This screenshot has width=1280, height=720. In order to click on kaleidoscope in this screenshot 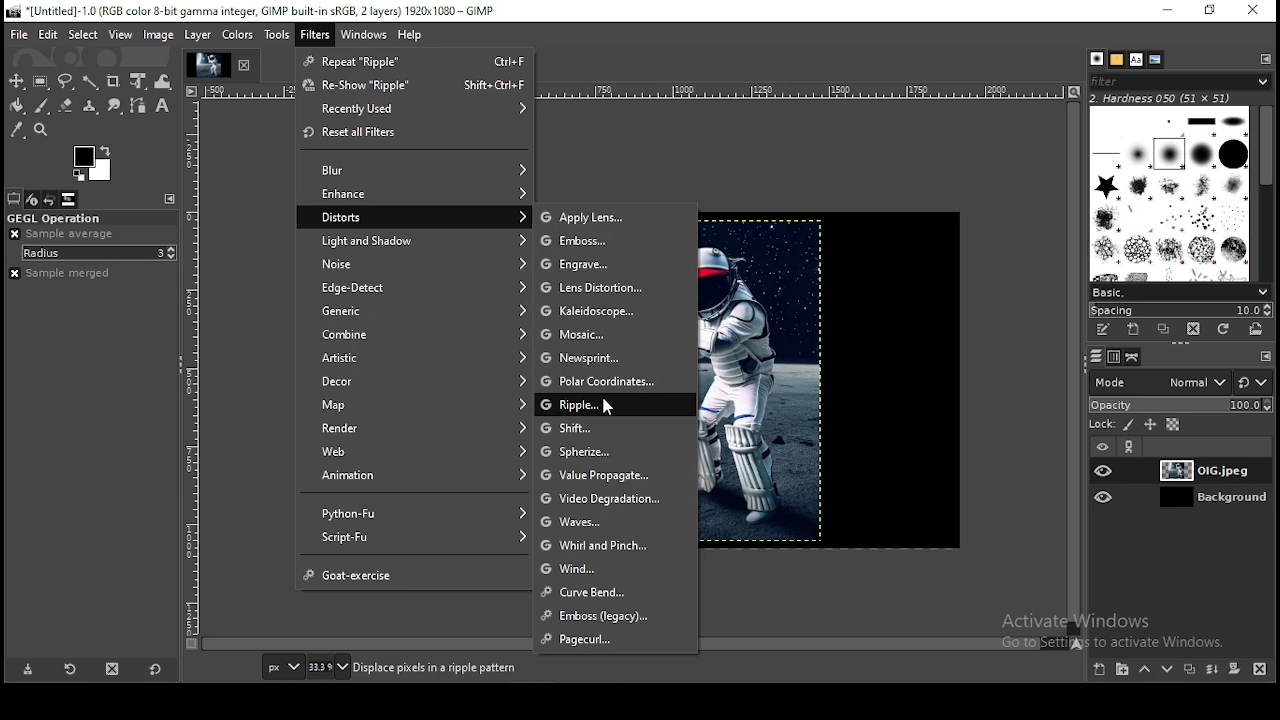, I will do `click(608, 311)`.